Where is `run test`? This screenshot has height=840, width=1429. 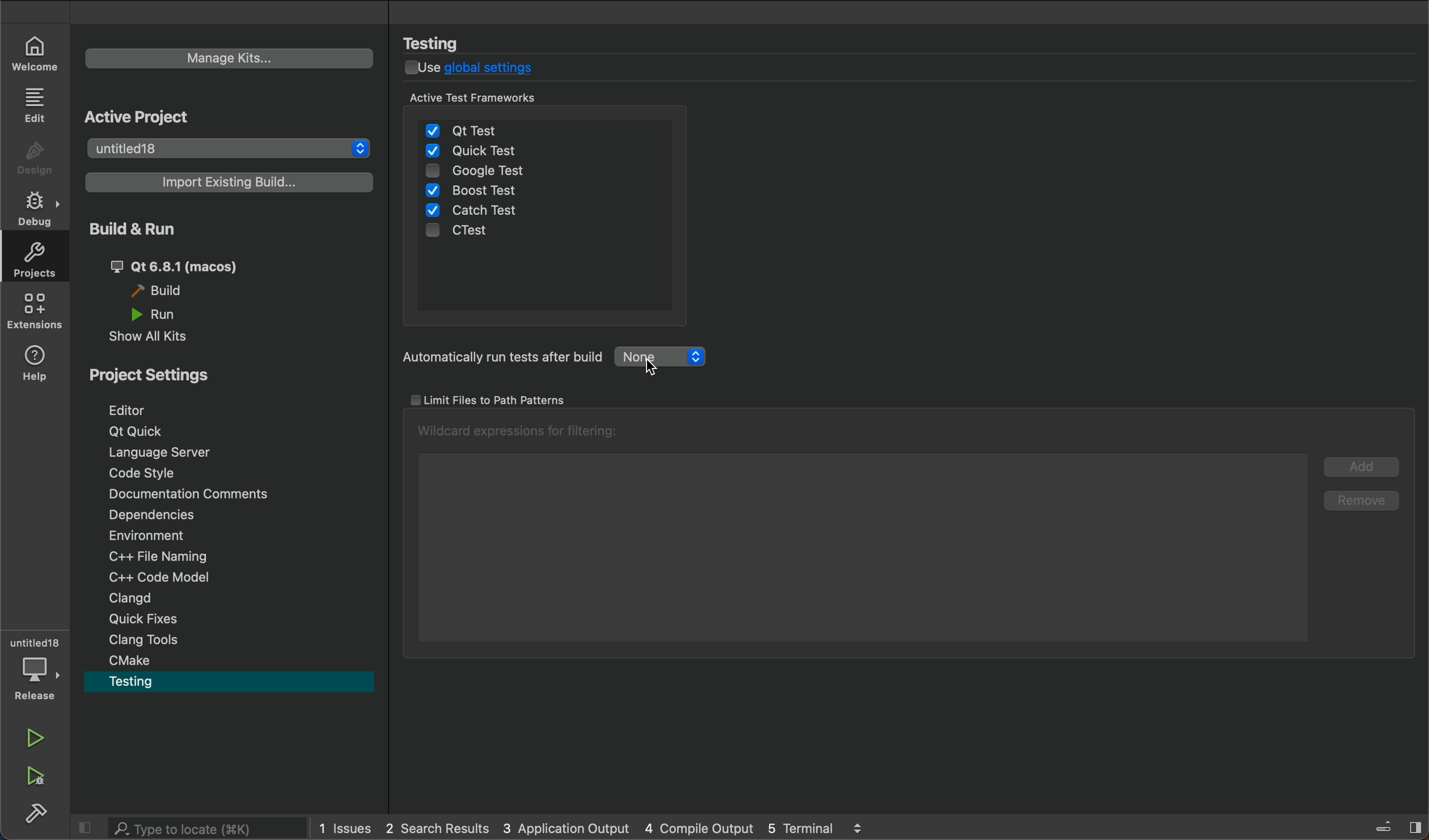 run test is located at coordinates (578, 358).